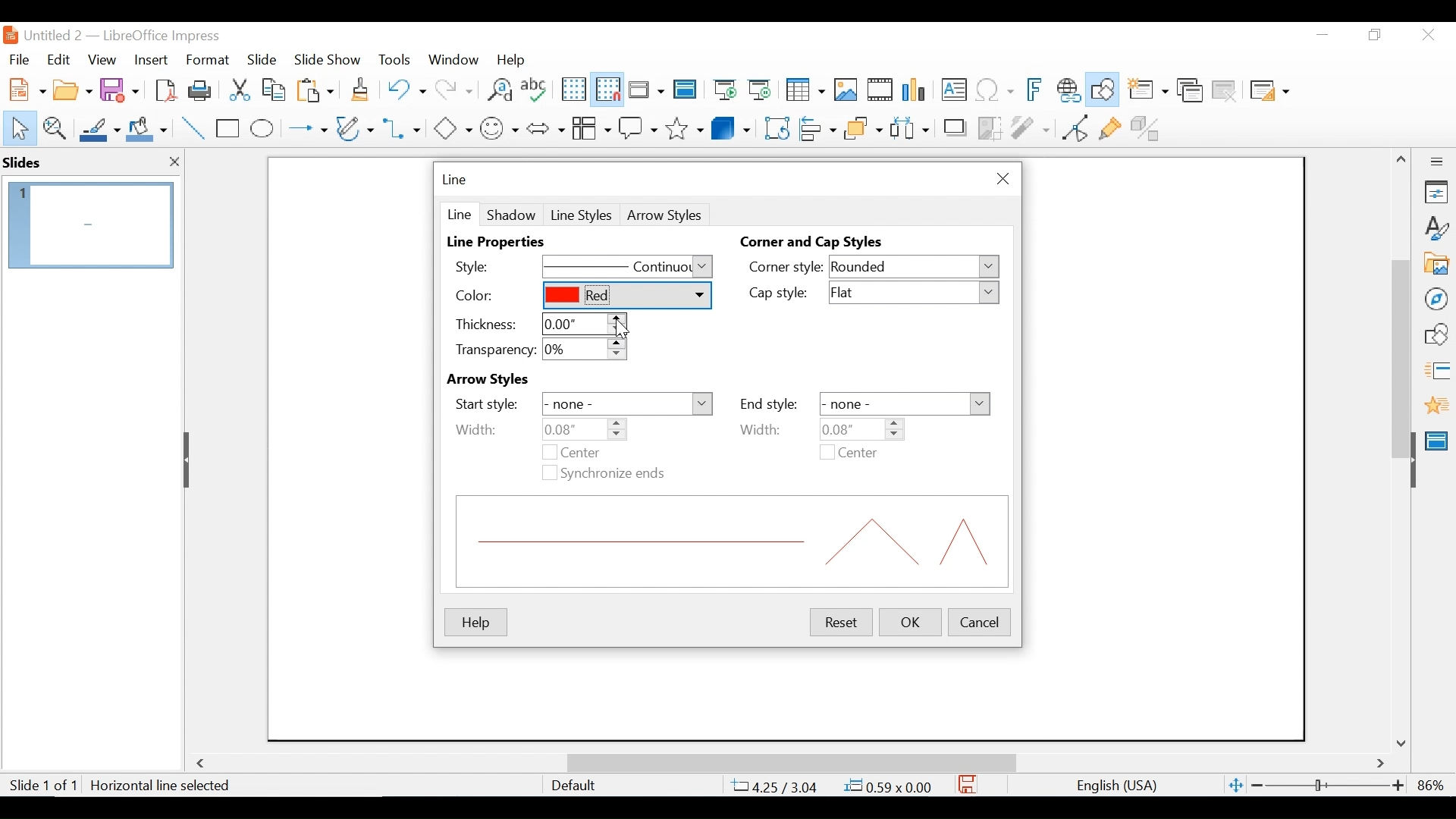 Image resolution: width=1456 pixels, height=819 pixels. Describe the element at coordinates (102, 59) in the screenshot. I see `View` at that location.